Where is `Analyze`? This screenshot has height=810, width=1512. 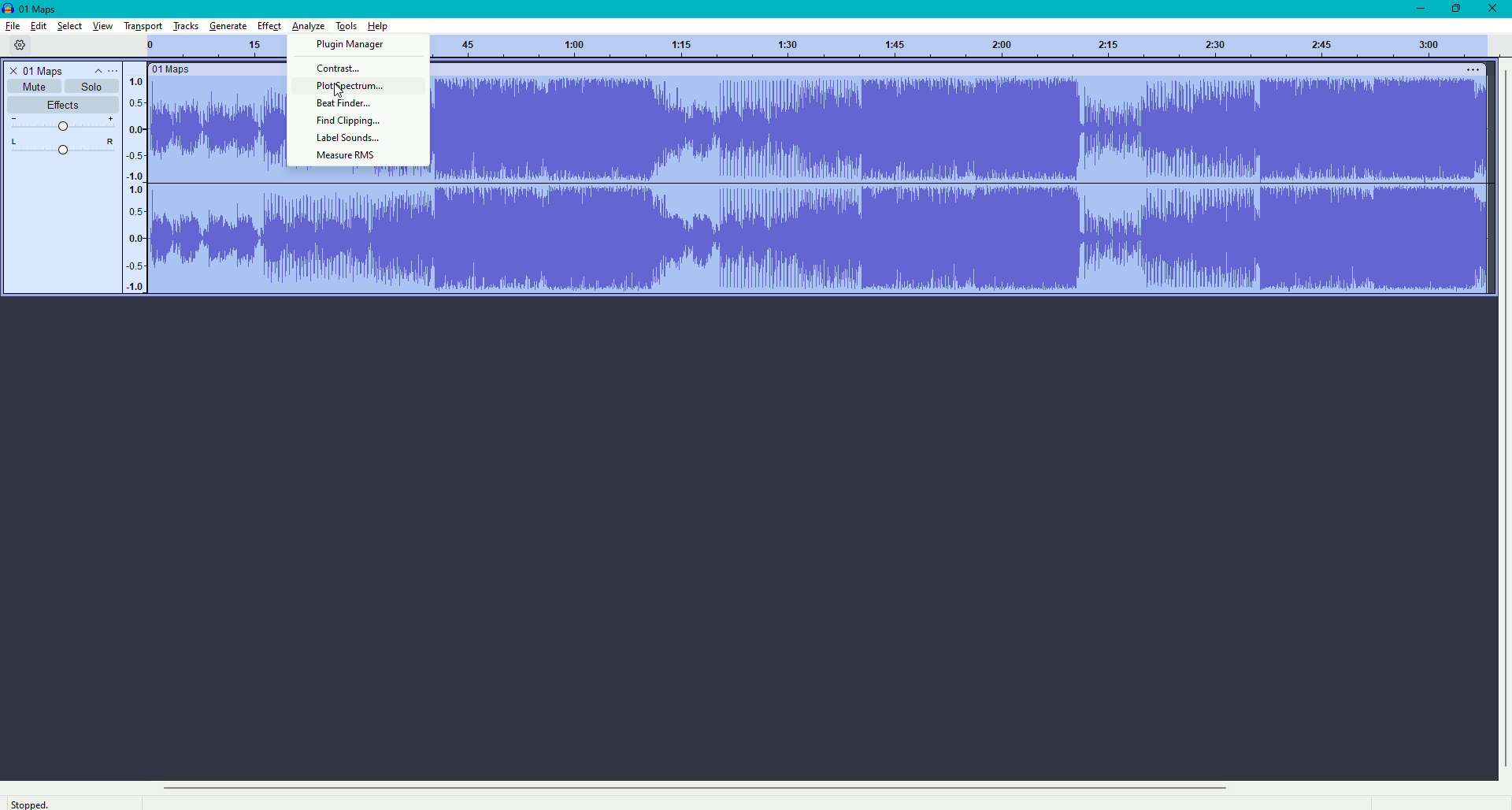 Analyze is located at coordinates (306, 26).